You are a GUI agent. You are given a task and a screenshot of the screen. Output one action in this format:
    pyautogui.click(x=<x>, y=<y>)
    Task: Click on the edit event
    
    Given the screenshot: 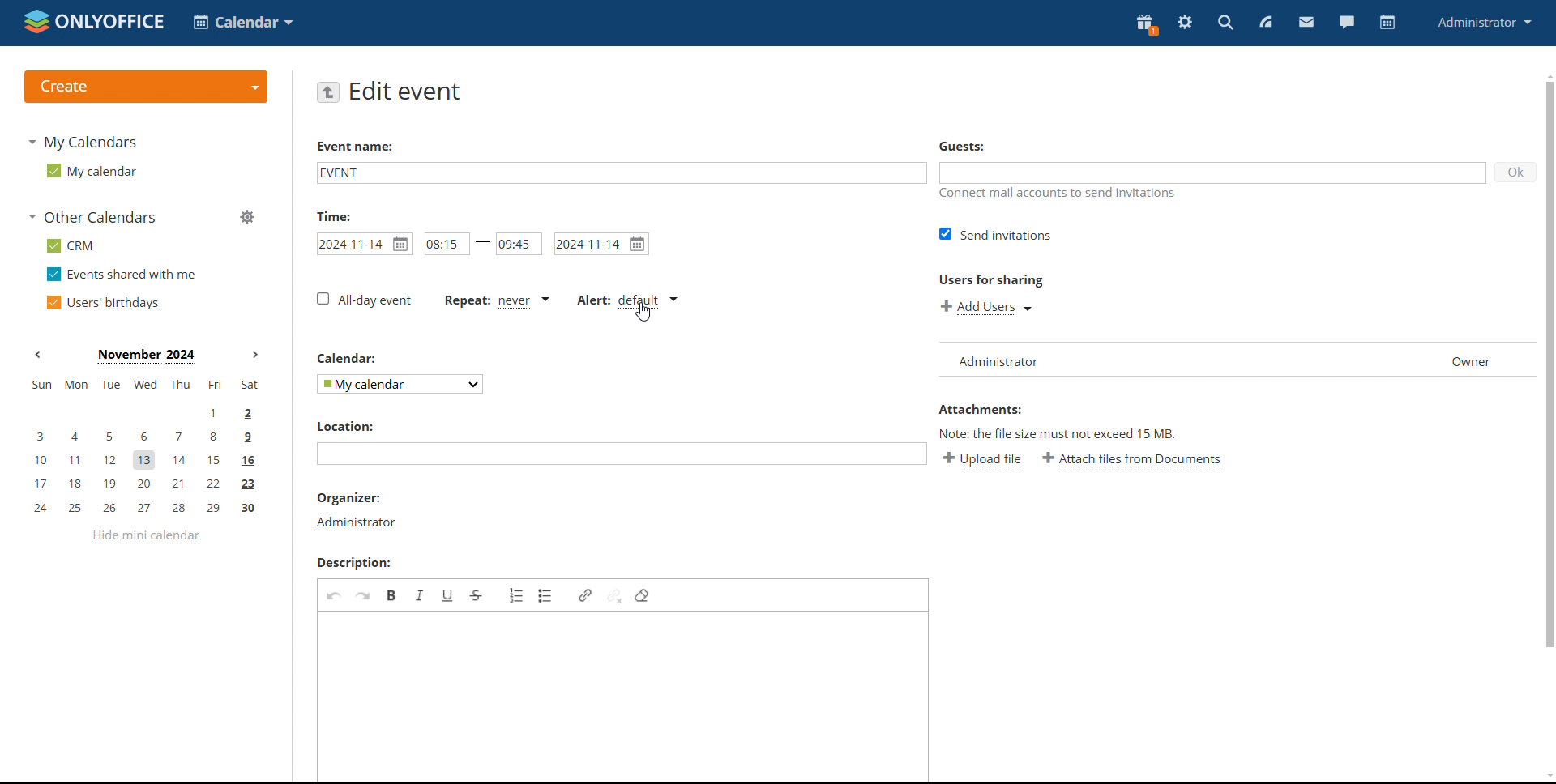 What is the action you would take?
    pyautogui.click(x=407, y=91)
    